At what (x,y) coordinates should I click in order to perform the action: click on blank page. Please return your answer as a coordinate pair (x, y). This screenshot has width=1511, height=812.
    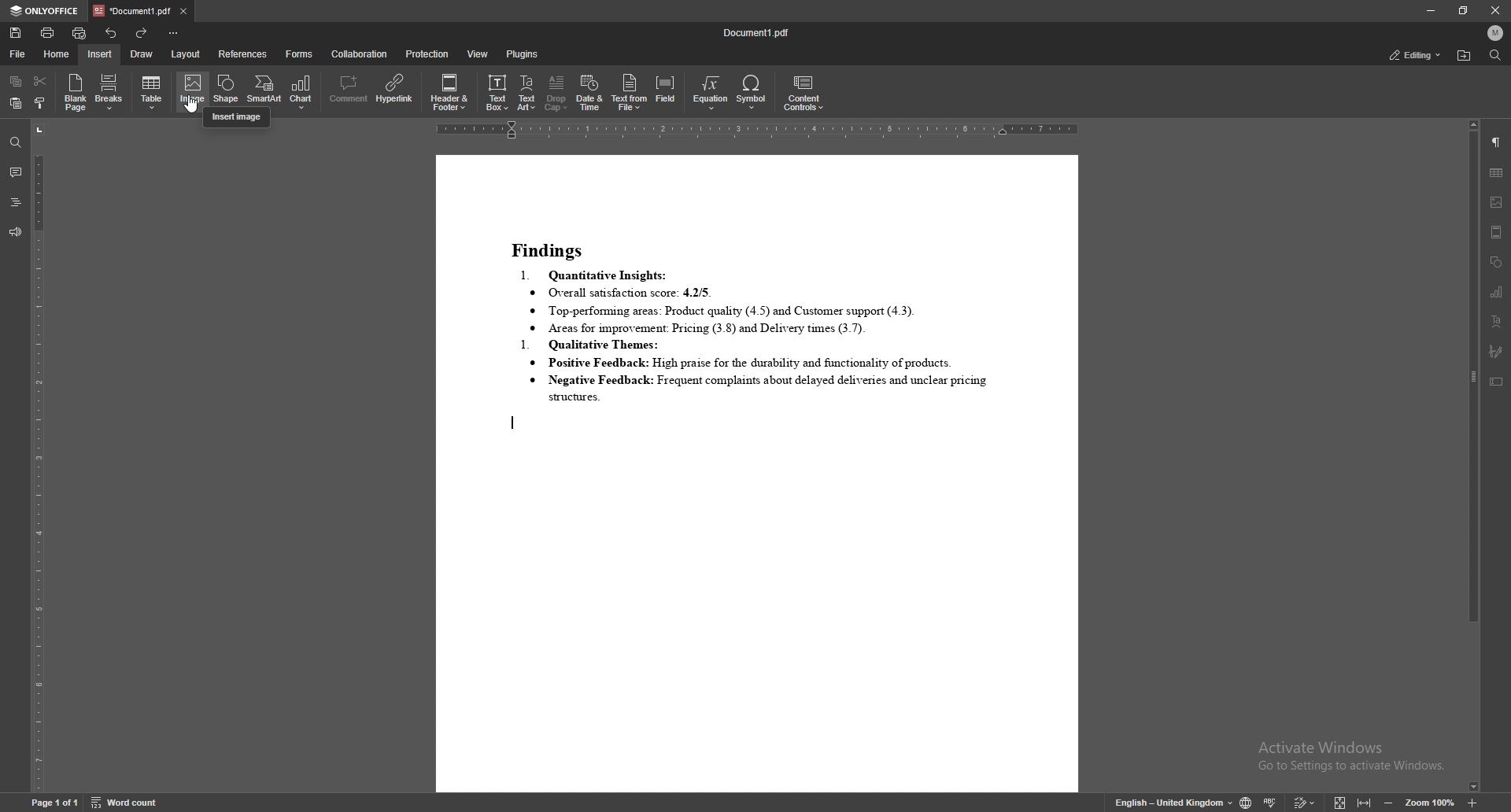
    Looking at the image, I should click on (74, 91).